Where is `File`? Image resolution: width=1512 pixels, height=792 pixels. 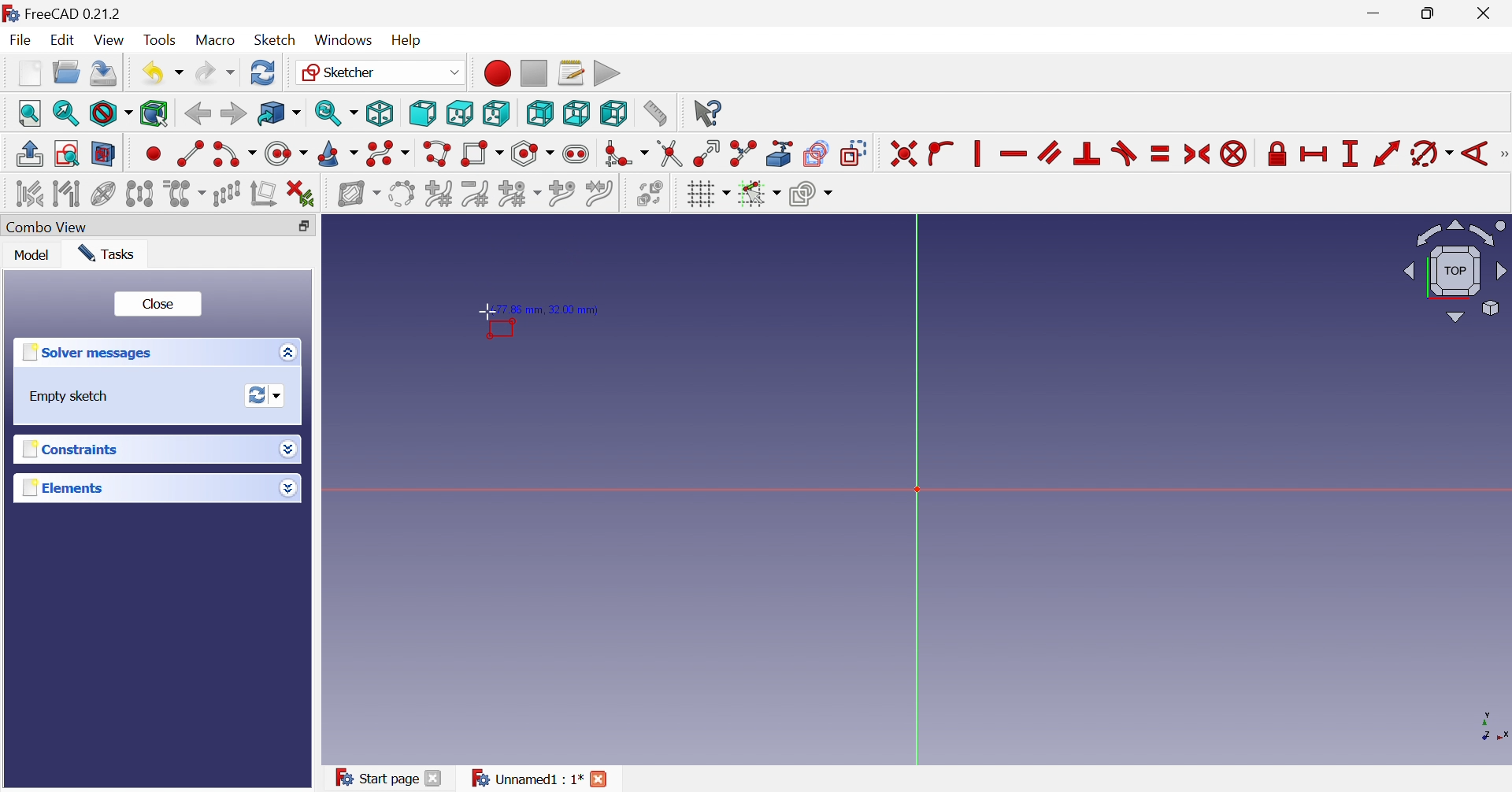 File is located at coordinates (24, 41).